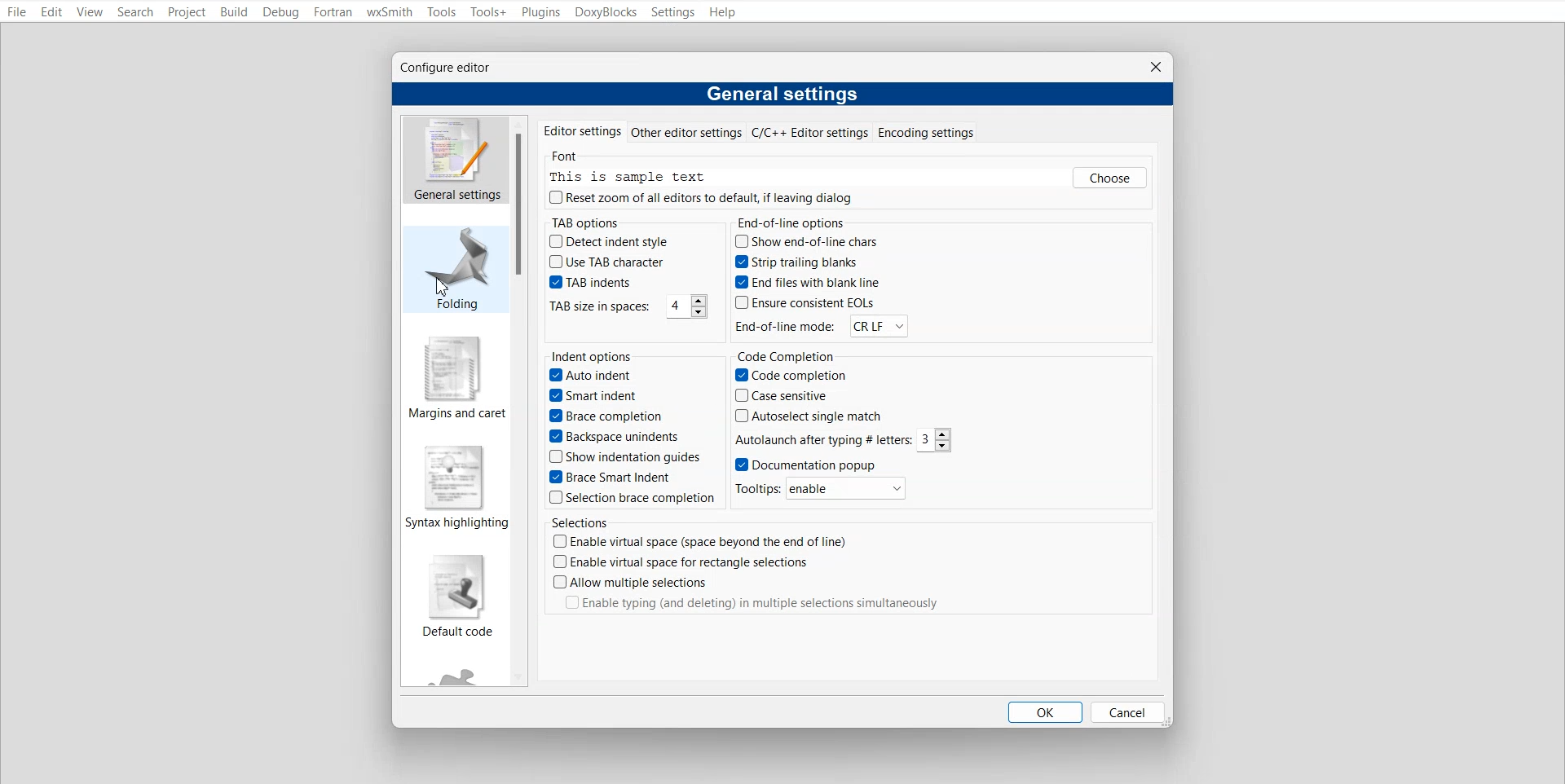  What do you see at coordinates (232, 12) in the screenshot?
I see `Build` at bounding box center [232, 12].